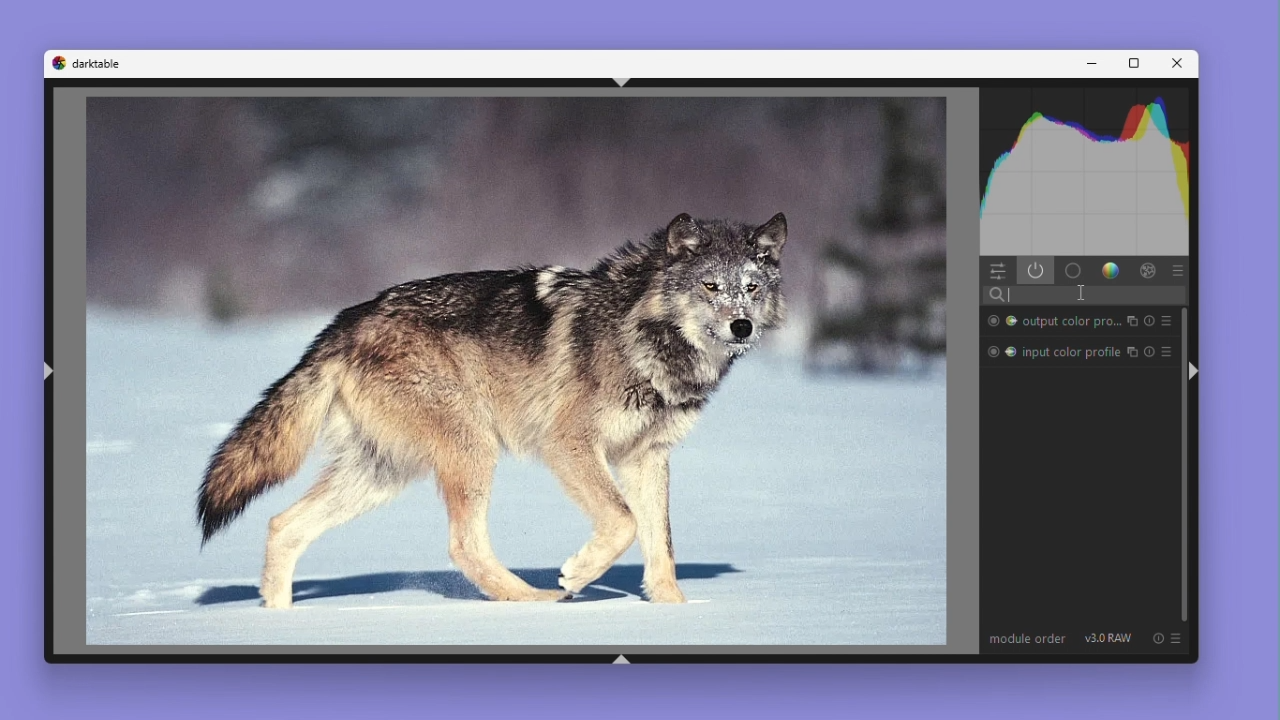 This screenshot has width=1280, height=720. I want to click on Image, so click(515, 373).